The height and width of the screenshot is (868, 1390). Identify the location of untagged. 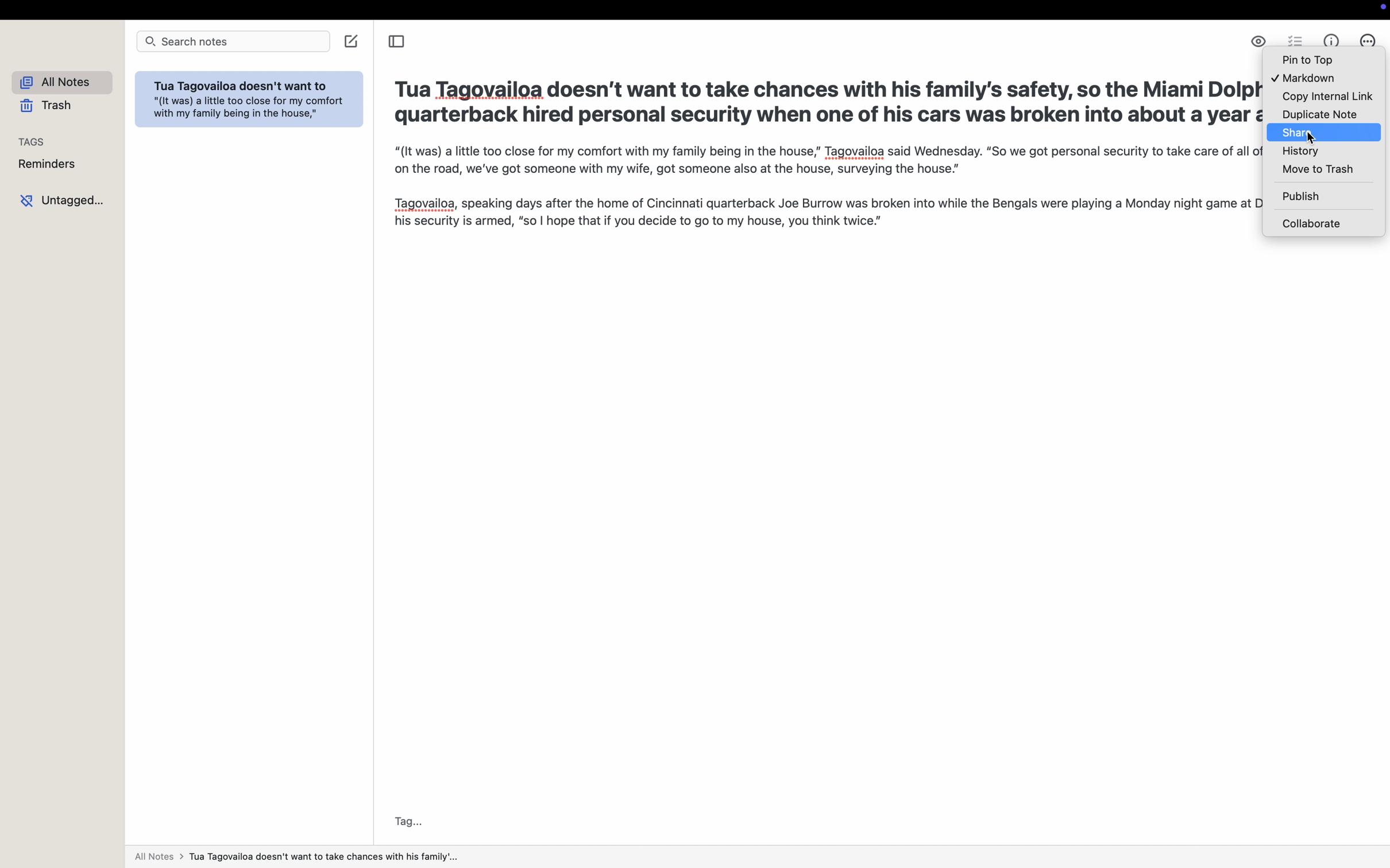
(61, 200).